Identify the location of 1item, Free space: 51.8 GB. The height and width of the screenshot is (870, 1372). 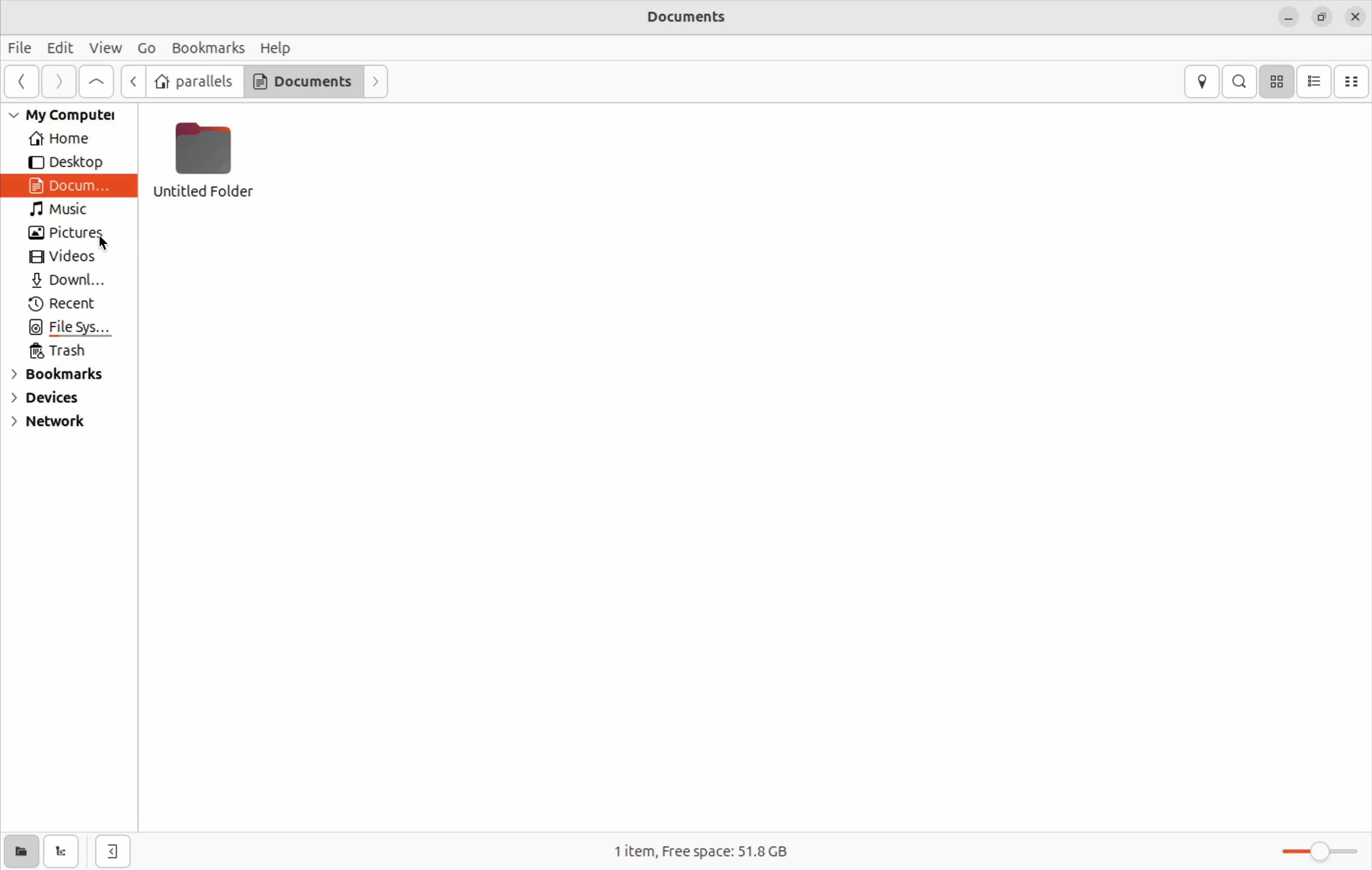
(718, 847).